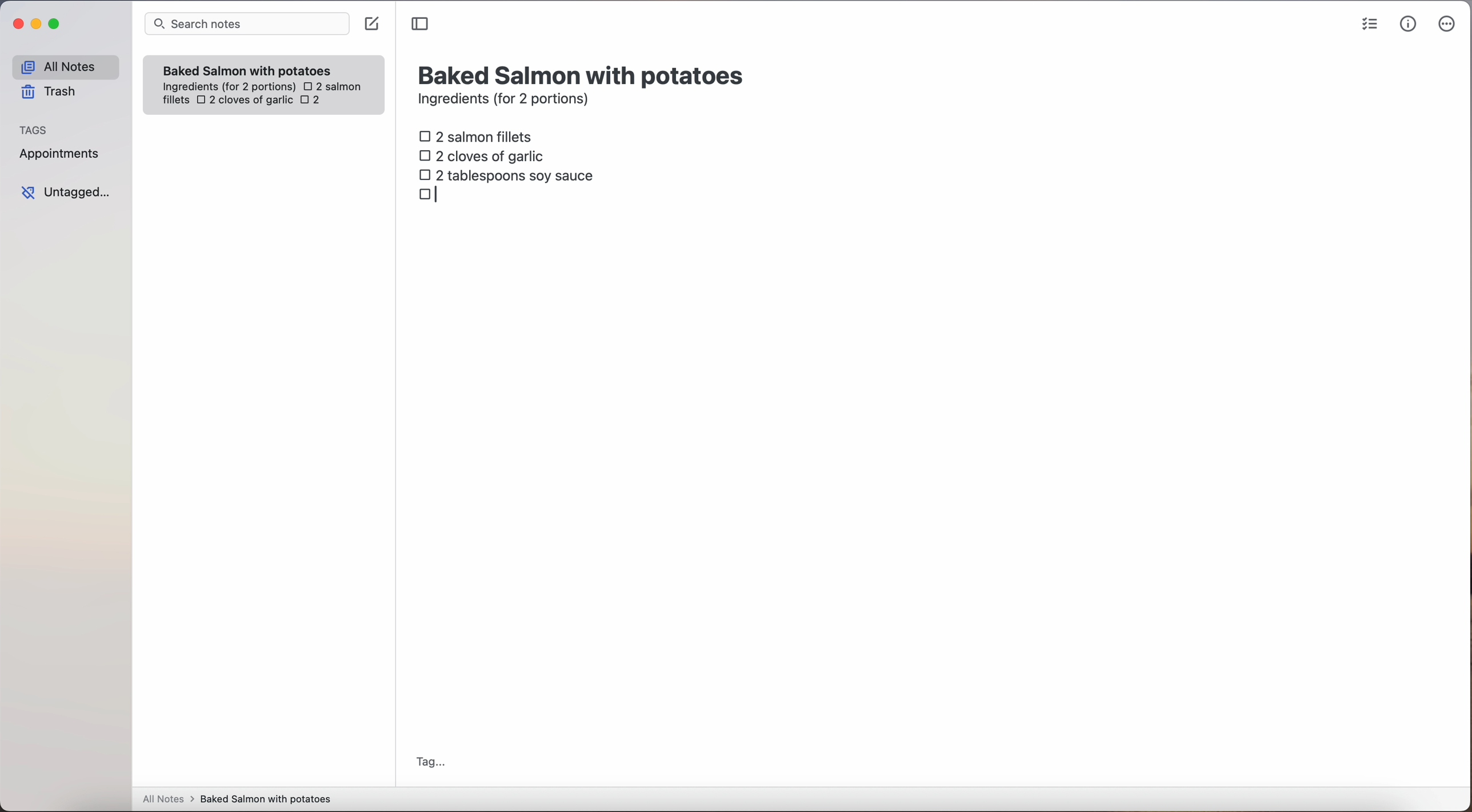 This screenshot has height=812, width=1472. What do you see at coordinates (430, 763) in the screenshot?
I see `tag` at bounding box center [430, 763].